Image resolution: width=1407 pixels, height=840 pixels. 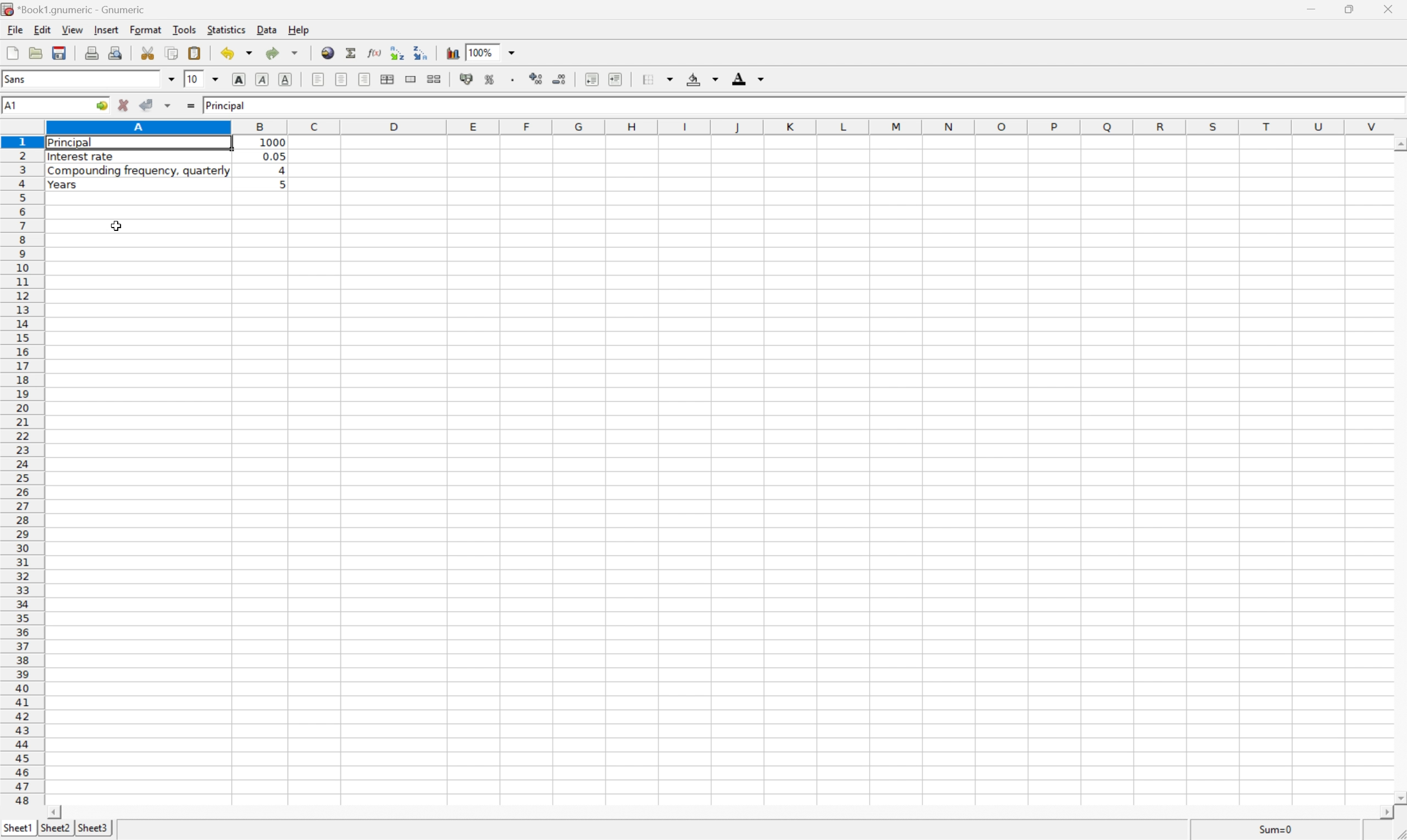 What do you see at coordinates (71, 29) in the screenshot?
I see `view` at bounding box center [71, 29].